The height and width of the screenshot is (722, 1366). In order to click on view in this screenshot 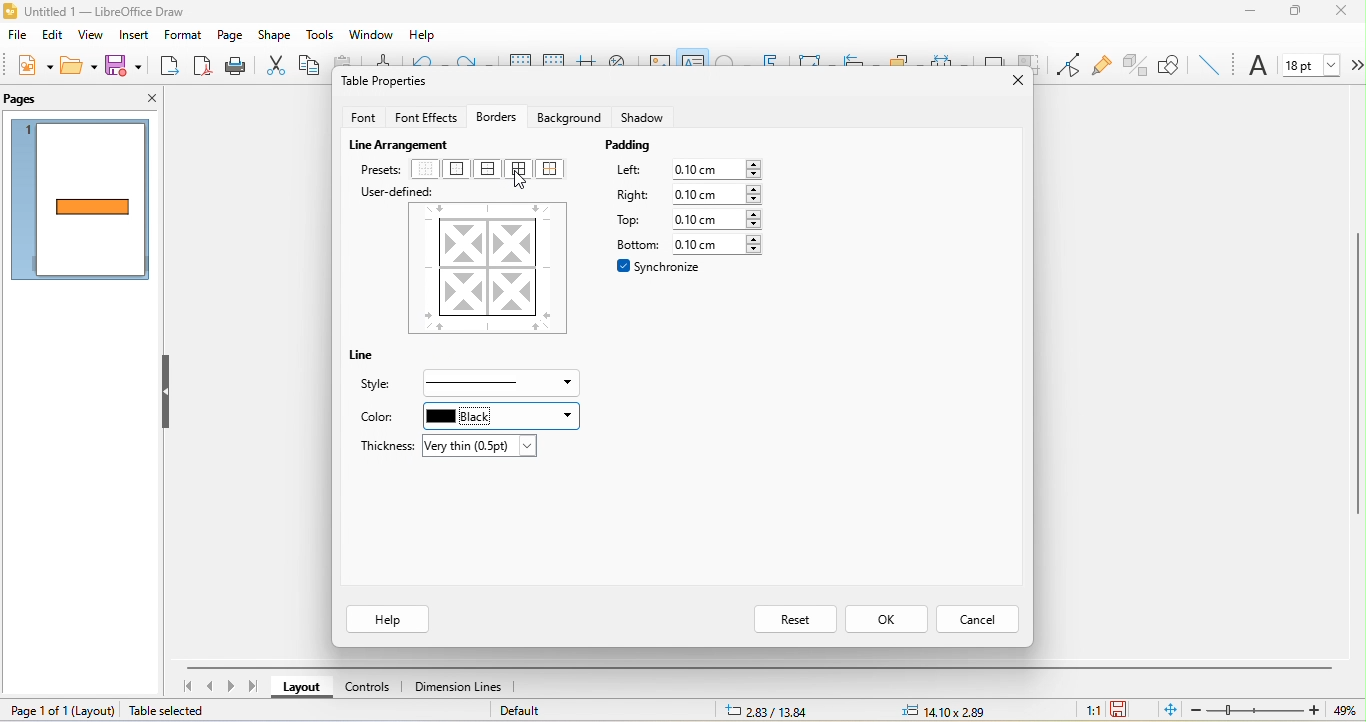, I will do `click(89, 37)`.